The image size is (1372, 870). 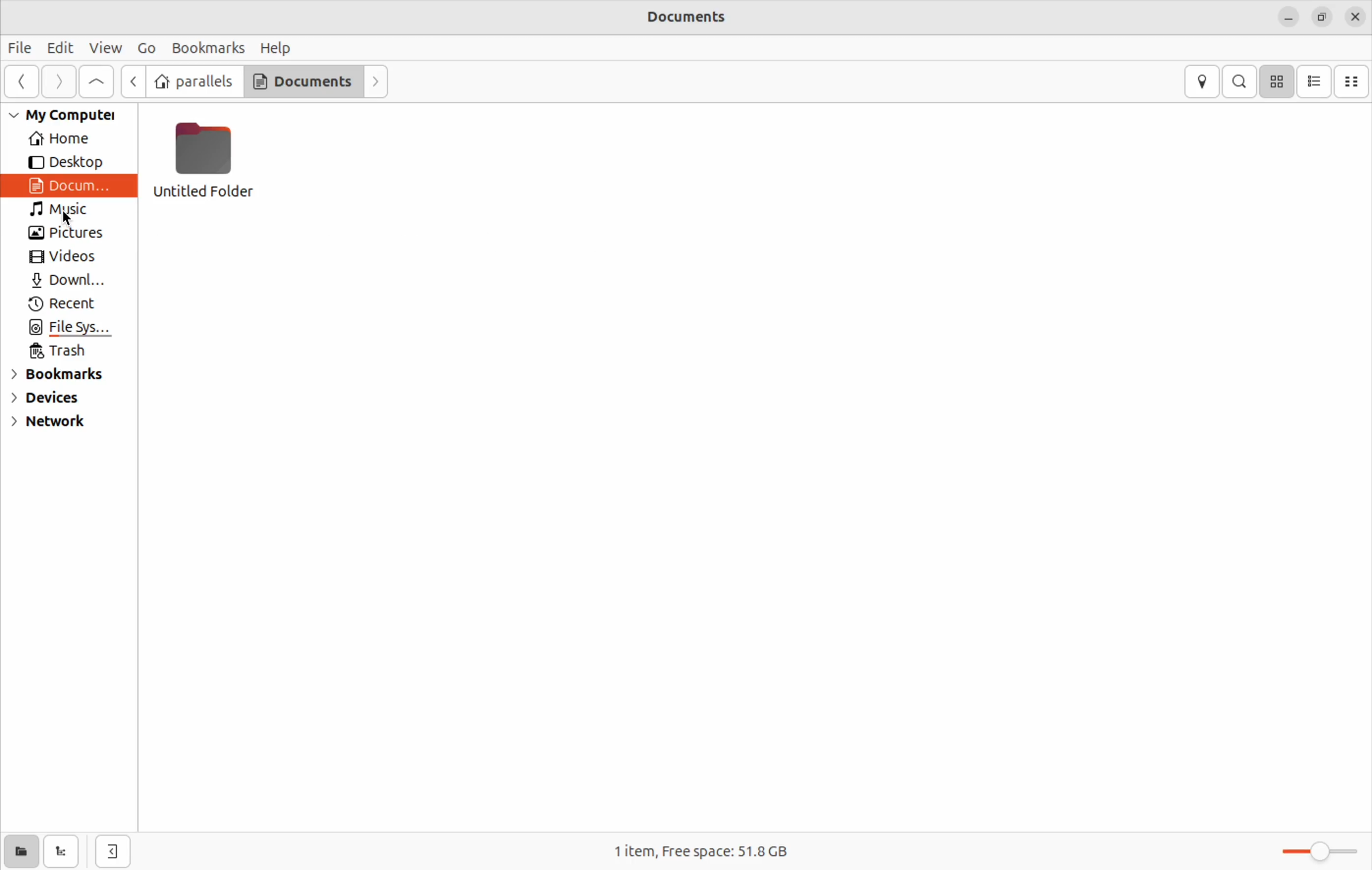 What do you see at coordinates (56, 141) in the screenshot?
I see `Home` at bounding box center [56, 141].